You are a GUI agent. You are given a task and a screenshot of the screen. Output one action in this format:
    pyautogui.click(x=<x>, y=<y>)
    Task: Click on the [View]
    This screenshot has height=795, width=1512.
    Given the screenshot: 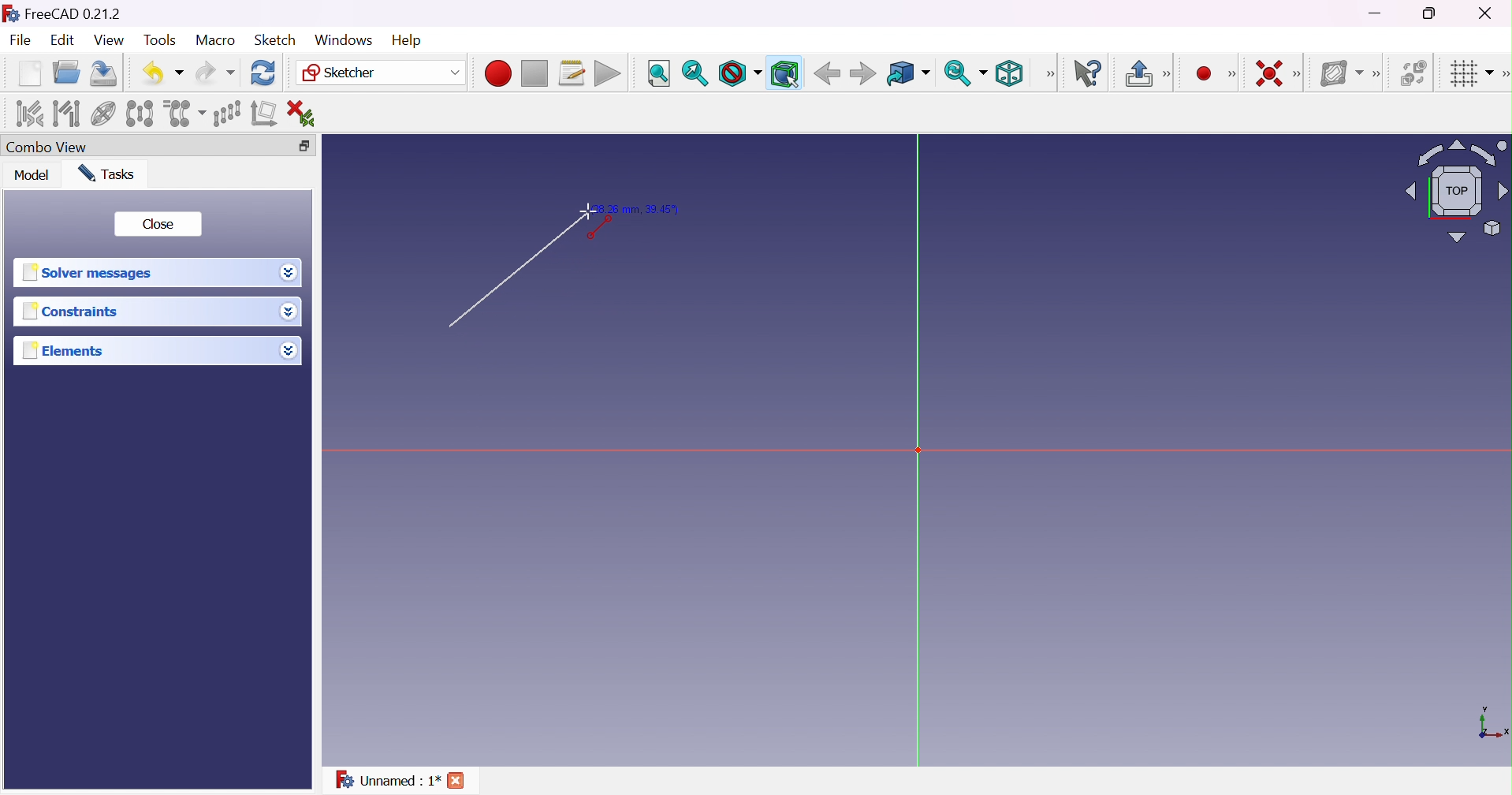 What is the action you would take?
    pyautogui.click(x=1050, y=73)
    